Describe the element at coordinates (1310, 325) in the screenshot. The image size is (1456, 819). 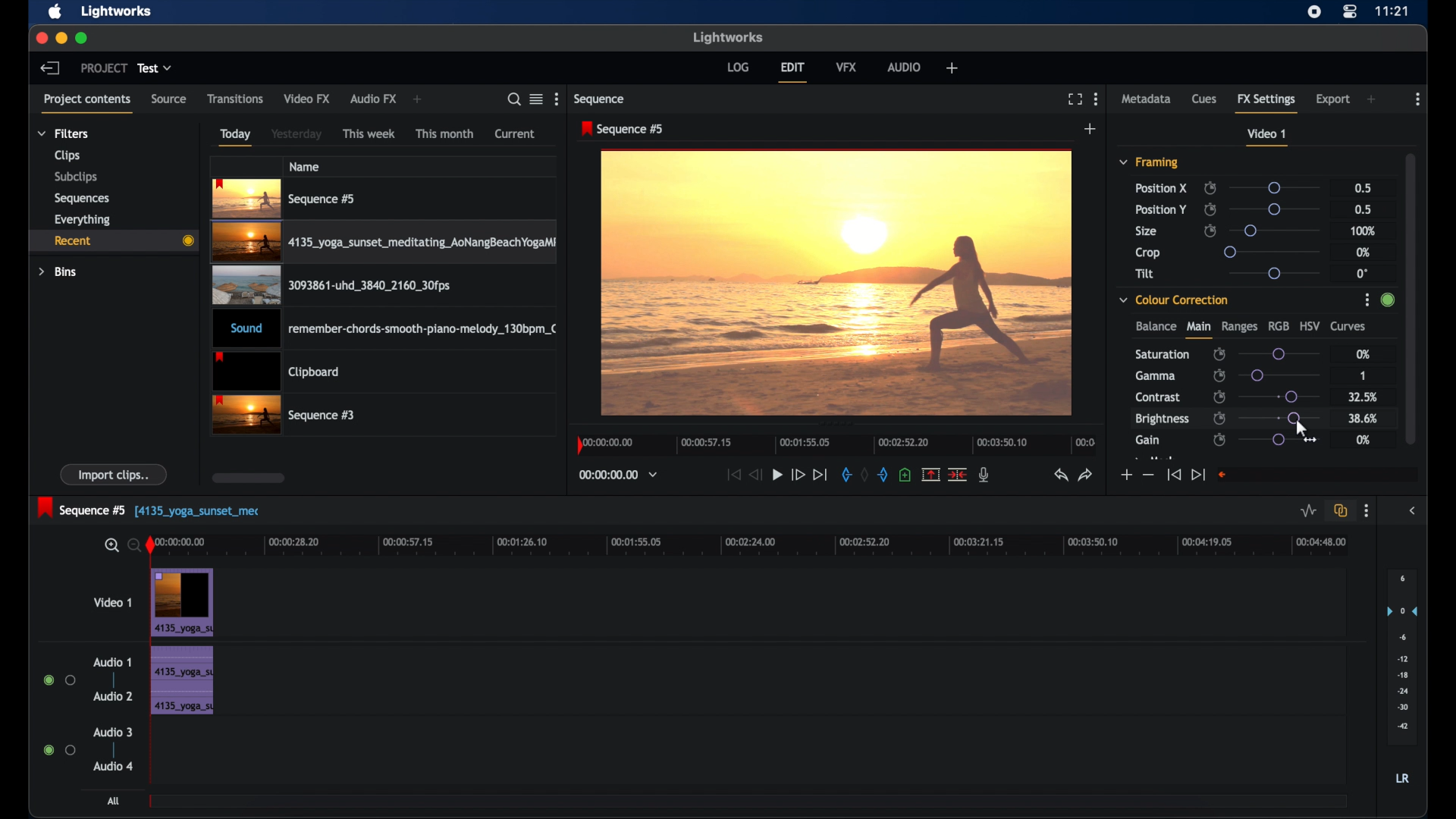
I see `hsv` at that location.